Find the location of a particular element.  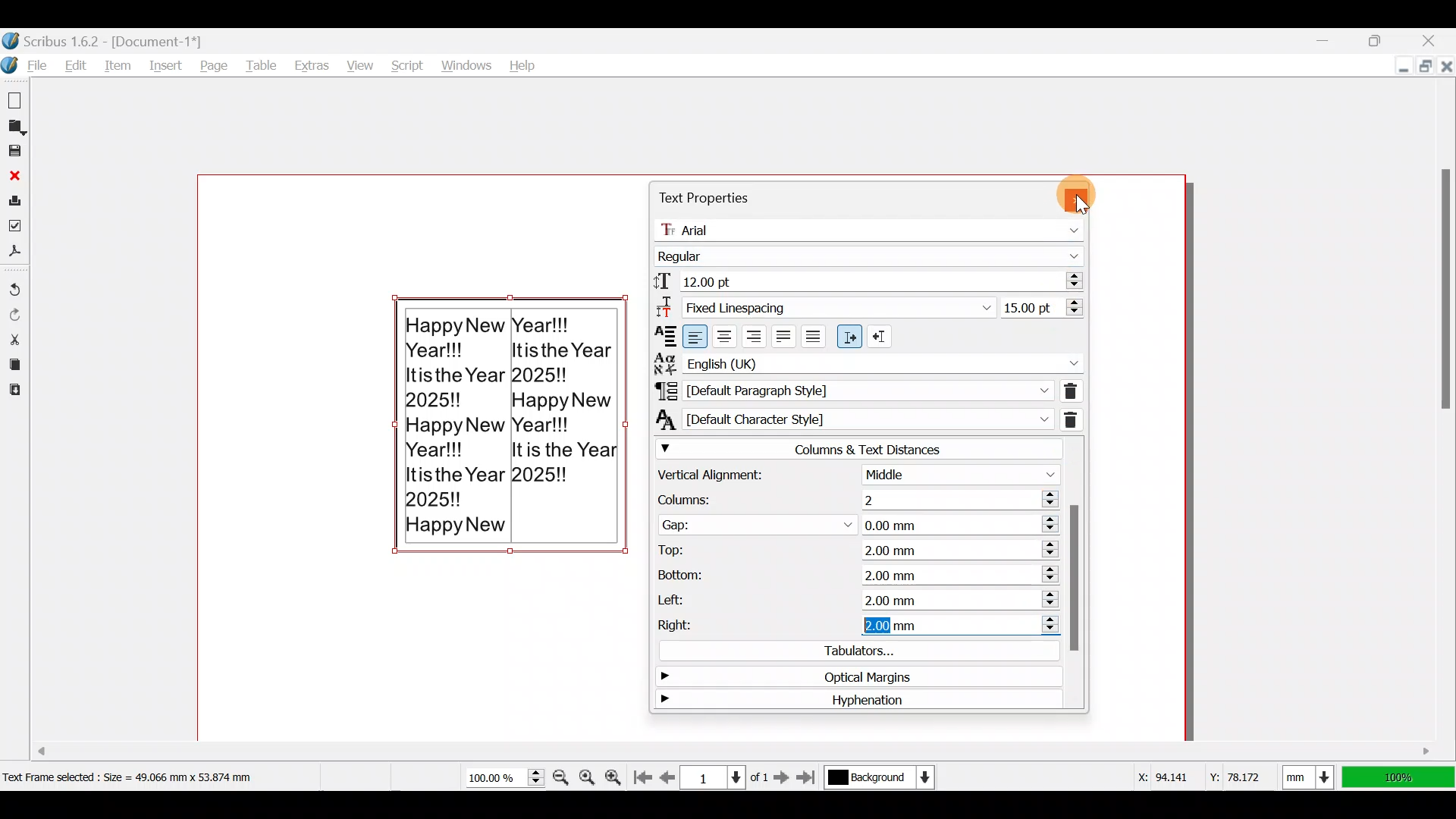

Text language is located at coordinates (868, 361).